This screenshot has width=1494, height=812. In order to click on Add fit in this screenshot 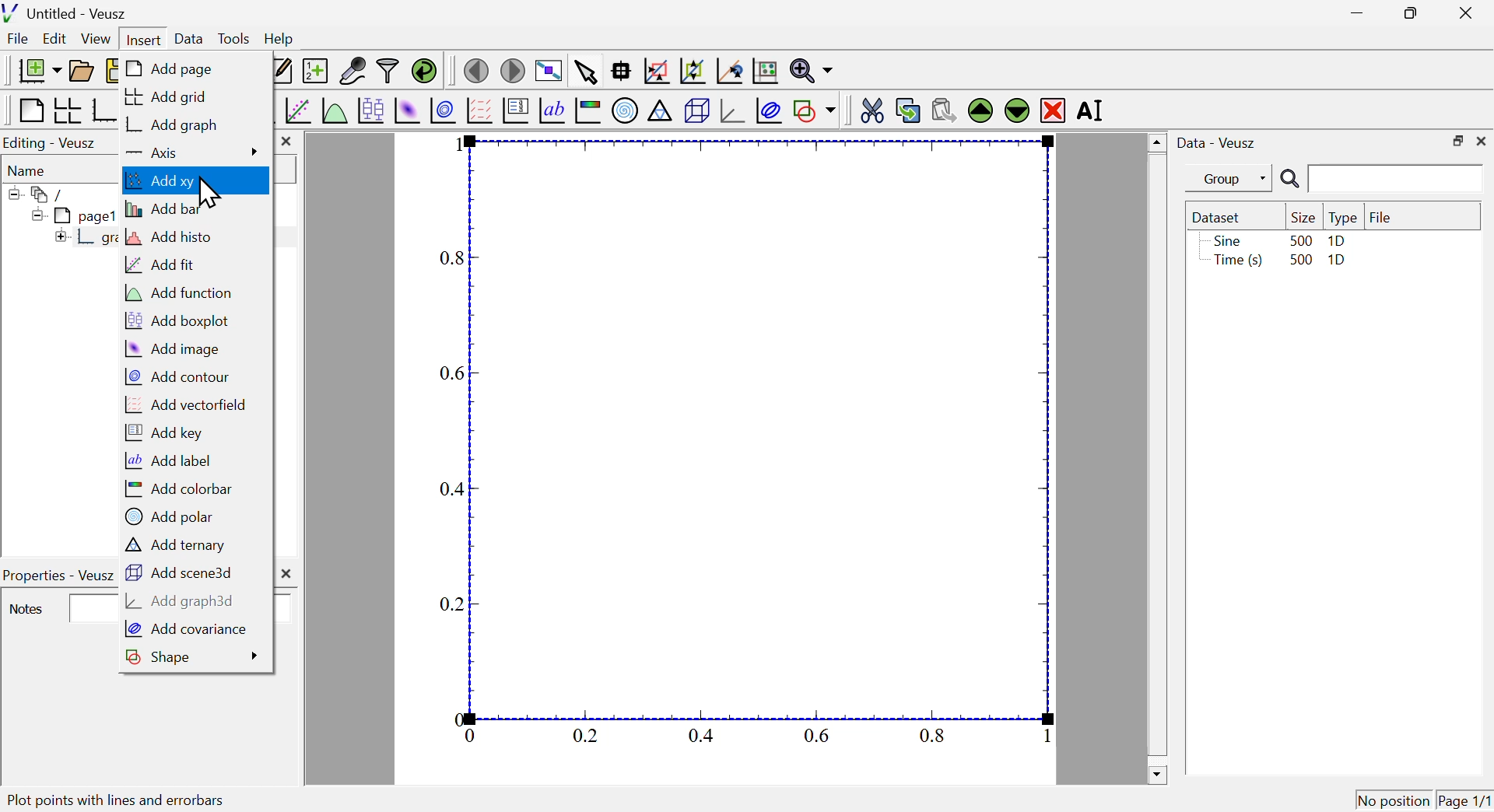, I will do `click(160, 266)`.